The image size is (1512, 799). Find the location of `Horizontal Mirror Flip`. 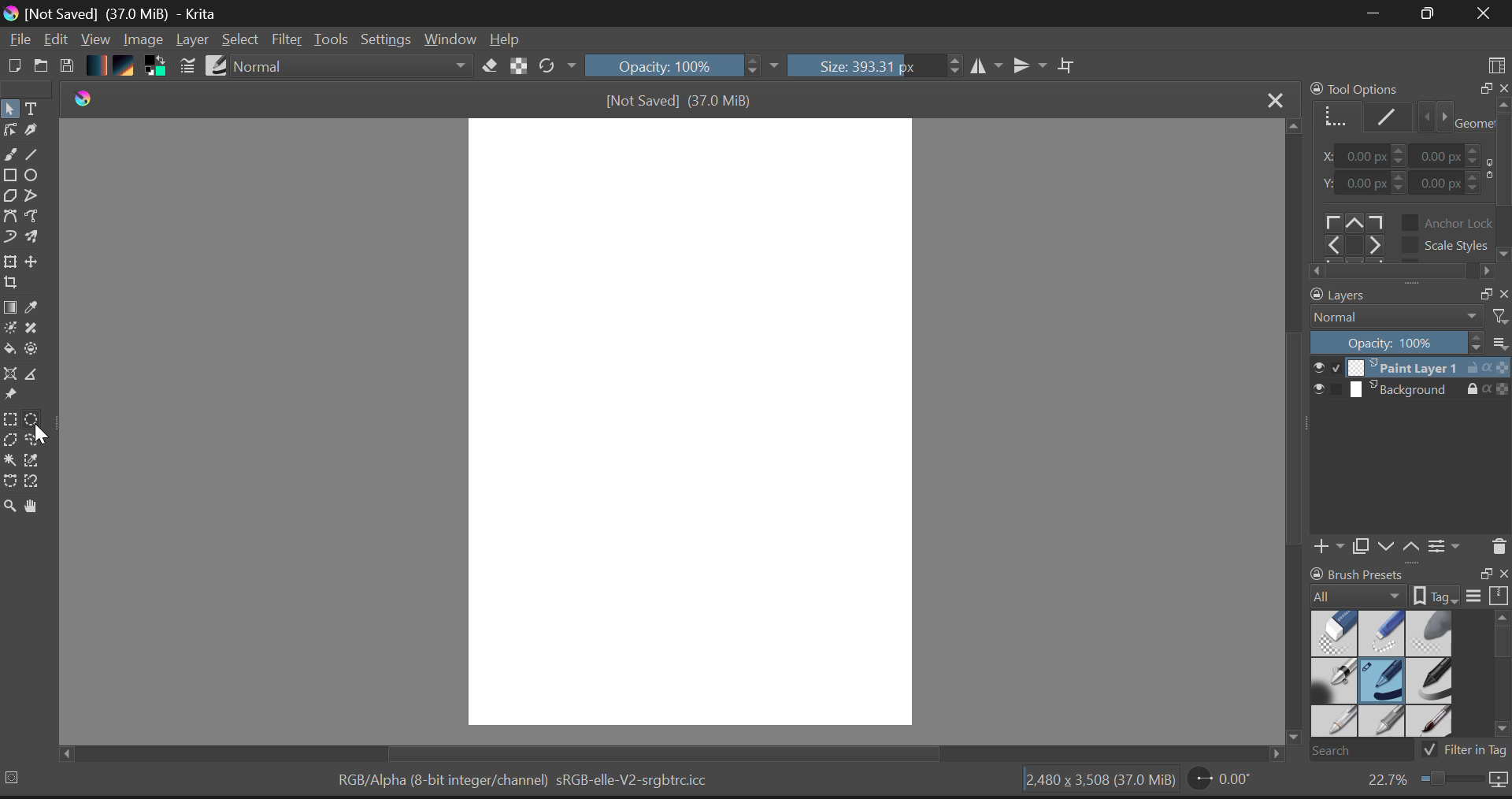

Horizontal Mirror Flip is located at coordinates (1033, 67).